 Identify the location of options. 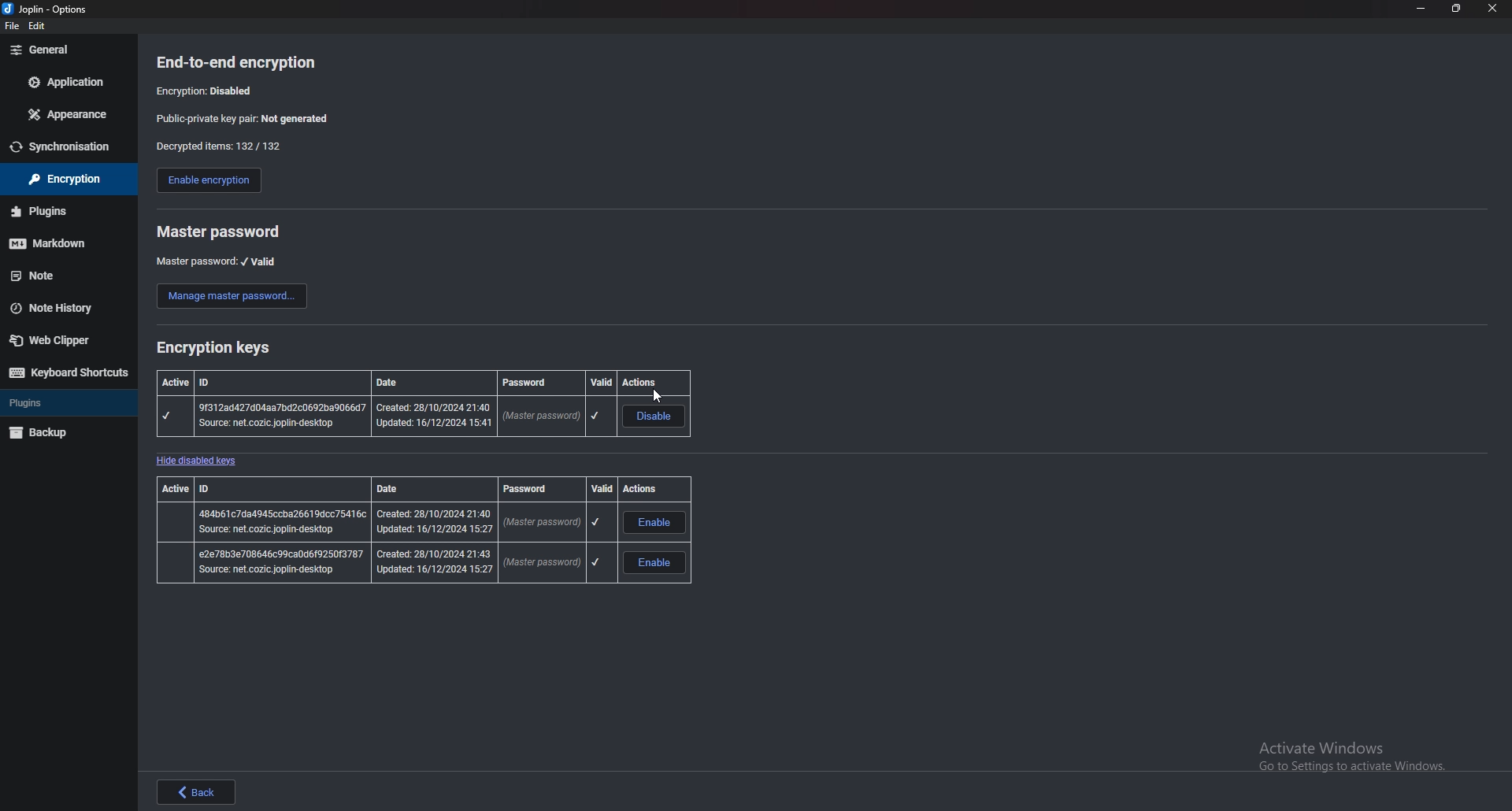
(51, 8).